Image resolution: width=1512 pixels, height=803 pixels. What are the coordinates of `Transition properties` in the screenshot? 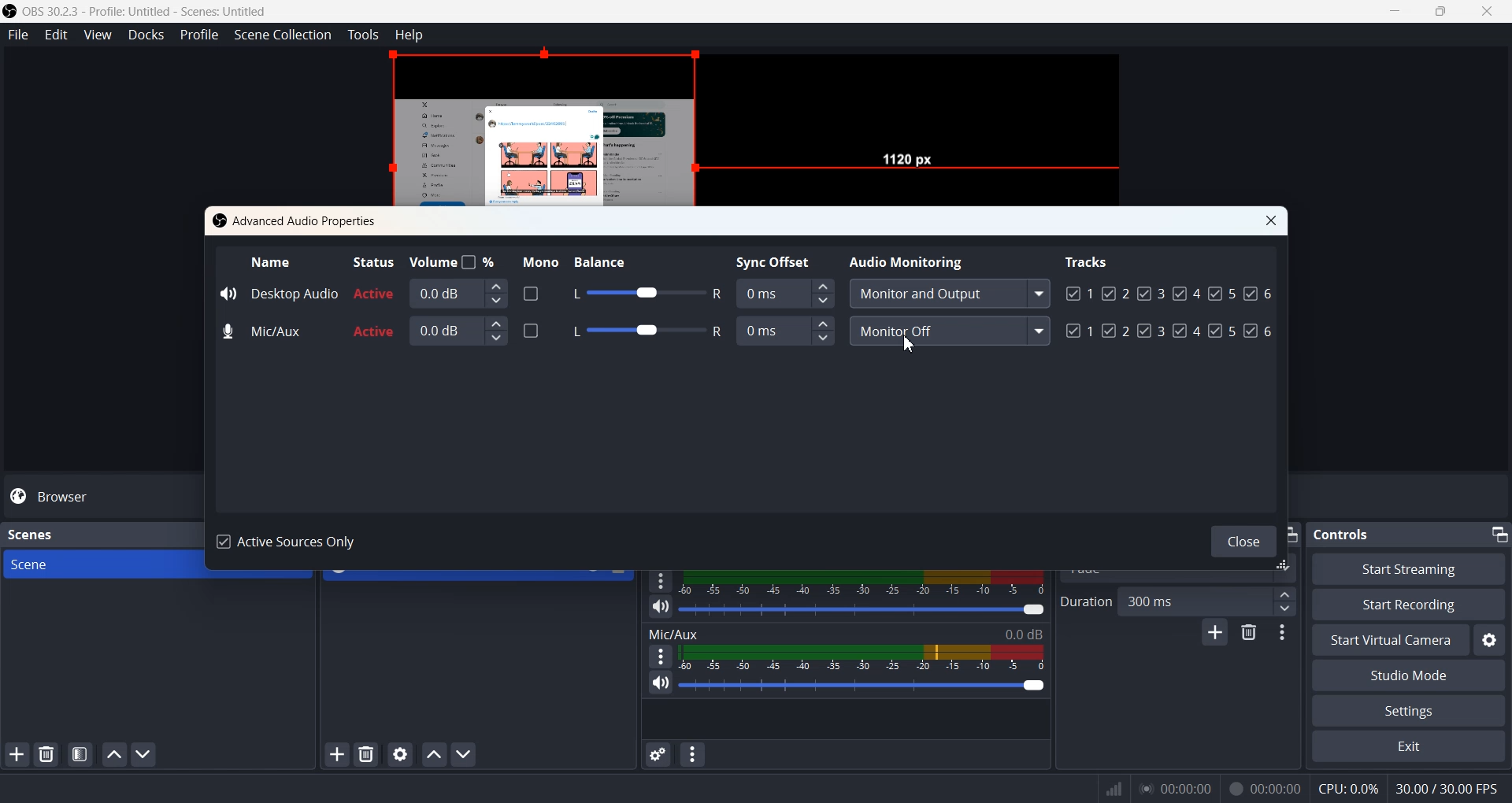 It's located at (1285, 635).